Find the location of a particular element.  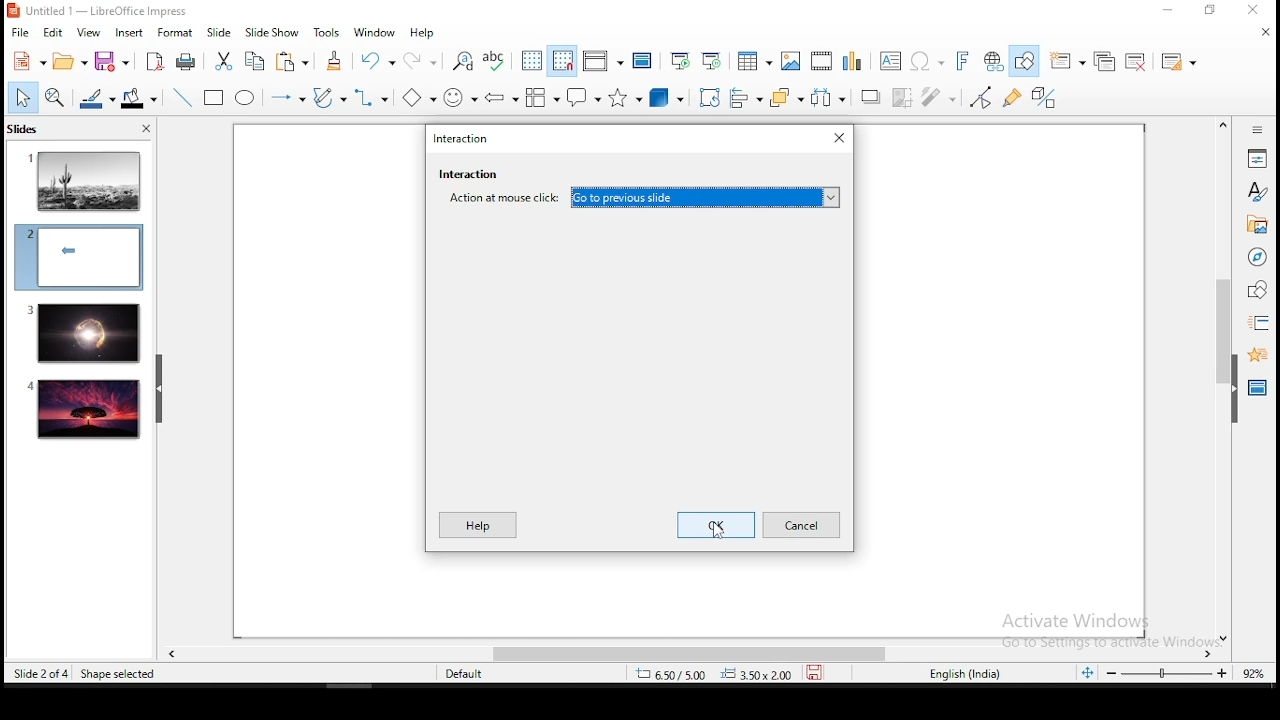

basic shapes is located at coordinates (415, 98).